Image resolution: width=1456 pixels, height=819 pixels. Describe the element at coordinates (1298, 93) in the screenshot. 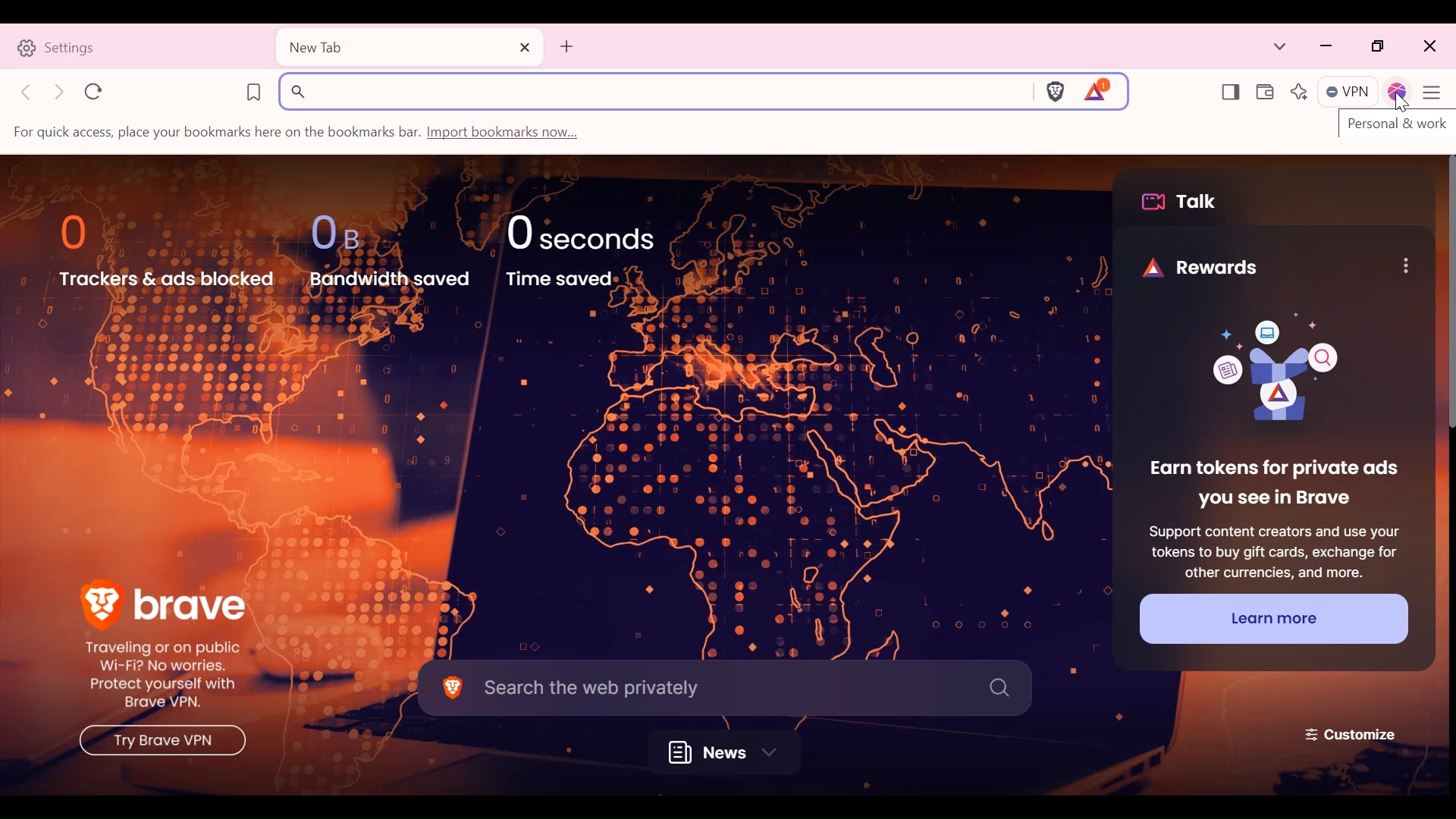

I see `Leo AI` at that location.